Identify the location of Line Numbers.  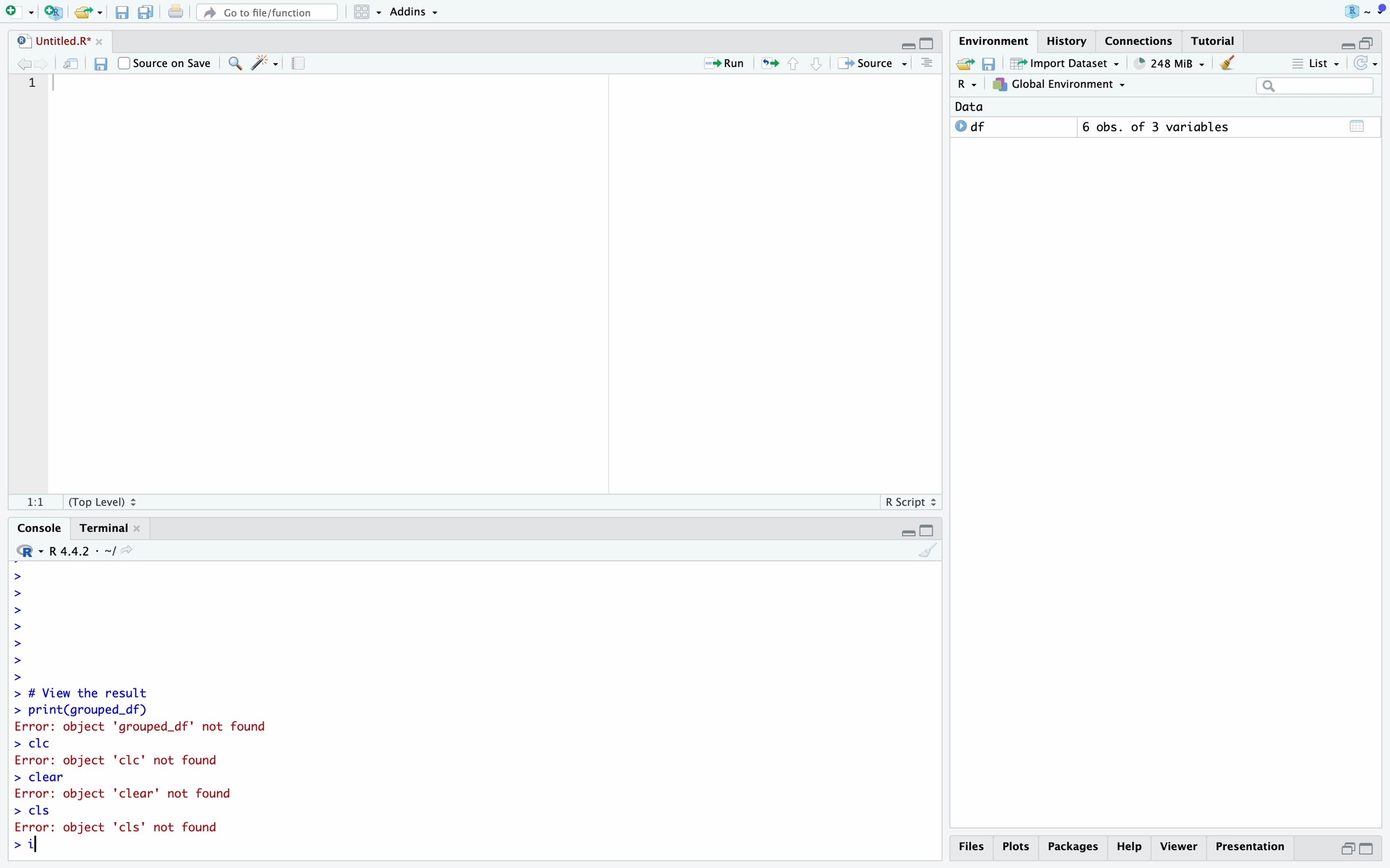
(29, 95).